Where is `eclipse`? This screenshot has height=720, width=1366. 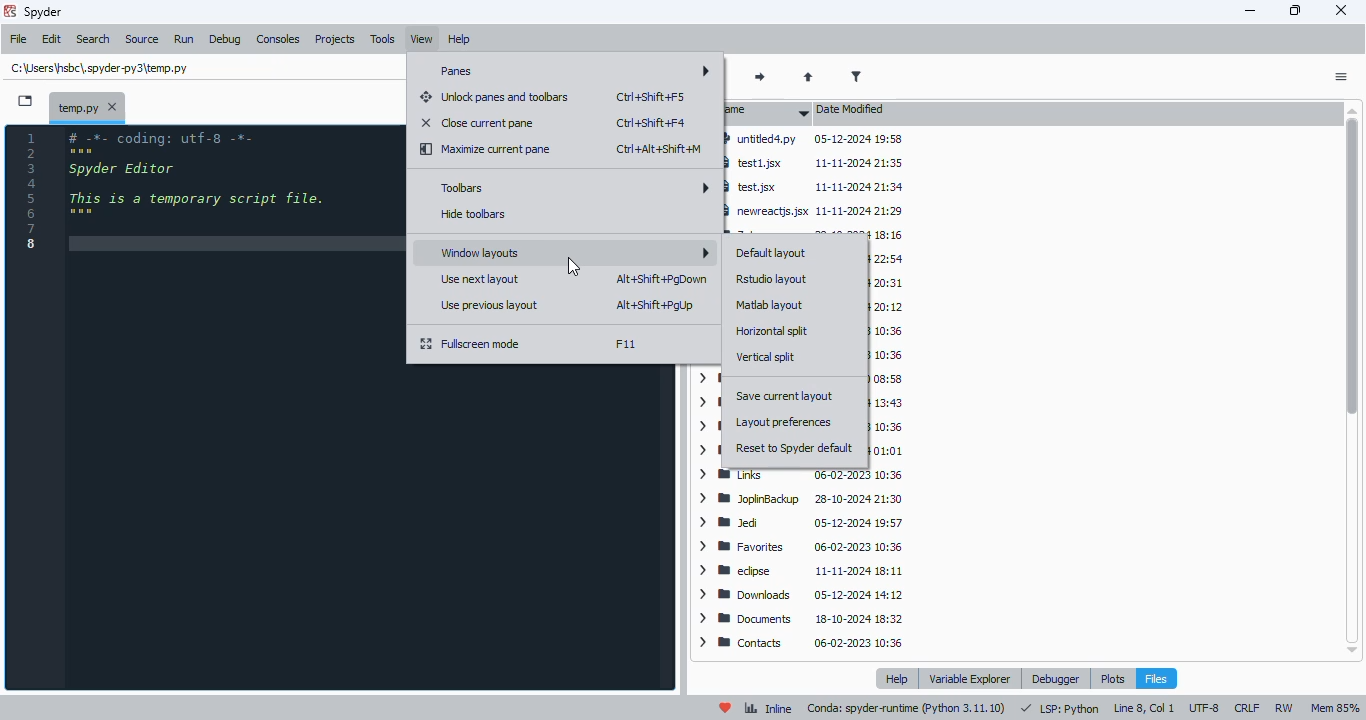 eclipse is located at coordinates (799, 571).